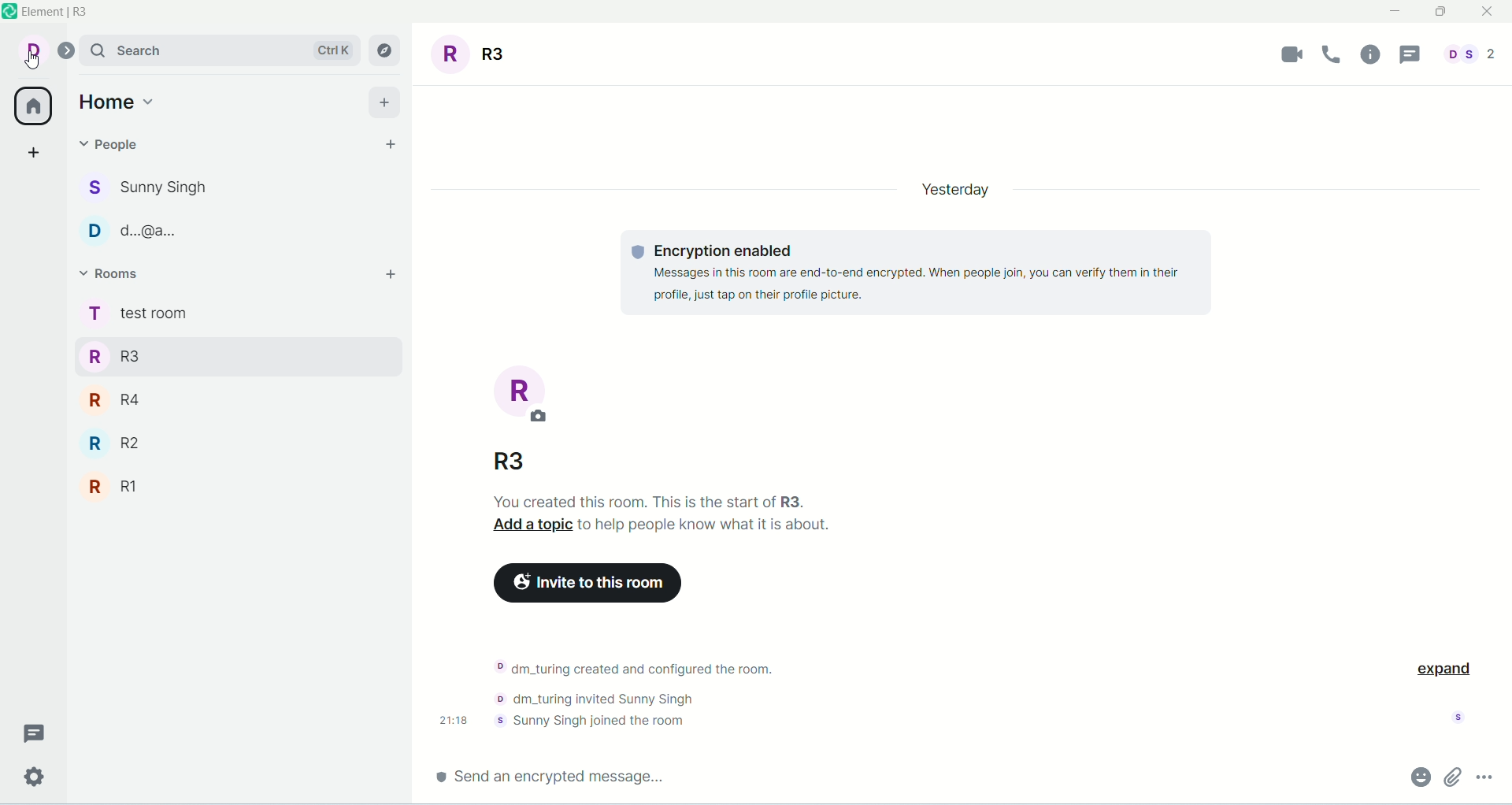 This screenshot has width=1512, height=805. Describe the element at coordinates (1419, 776) in the screenshot. I see `emoji` at that location.